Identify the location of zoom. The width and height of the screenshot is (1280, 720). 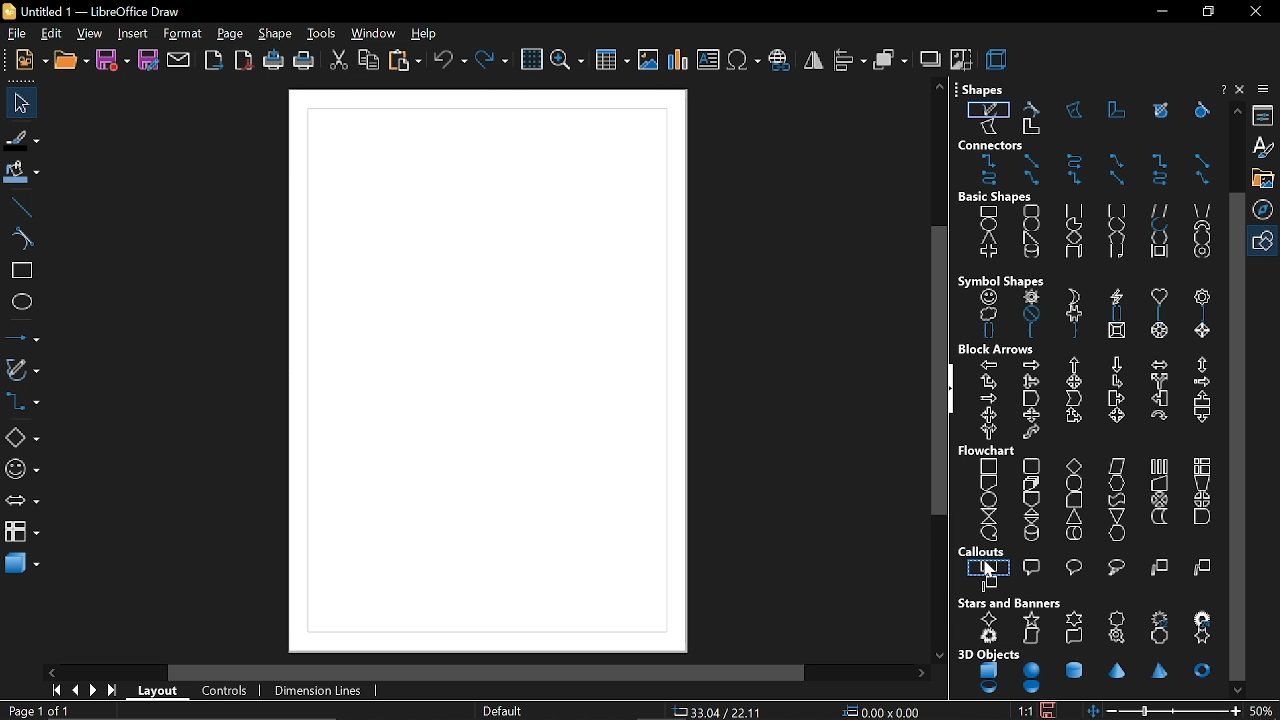
(568, 61).